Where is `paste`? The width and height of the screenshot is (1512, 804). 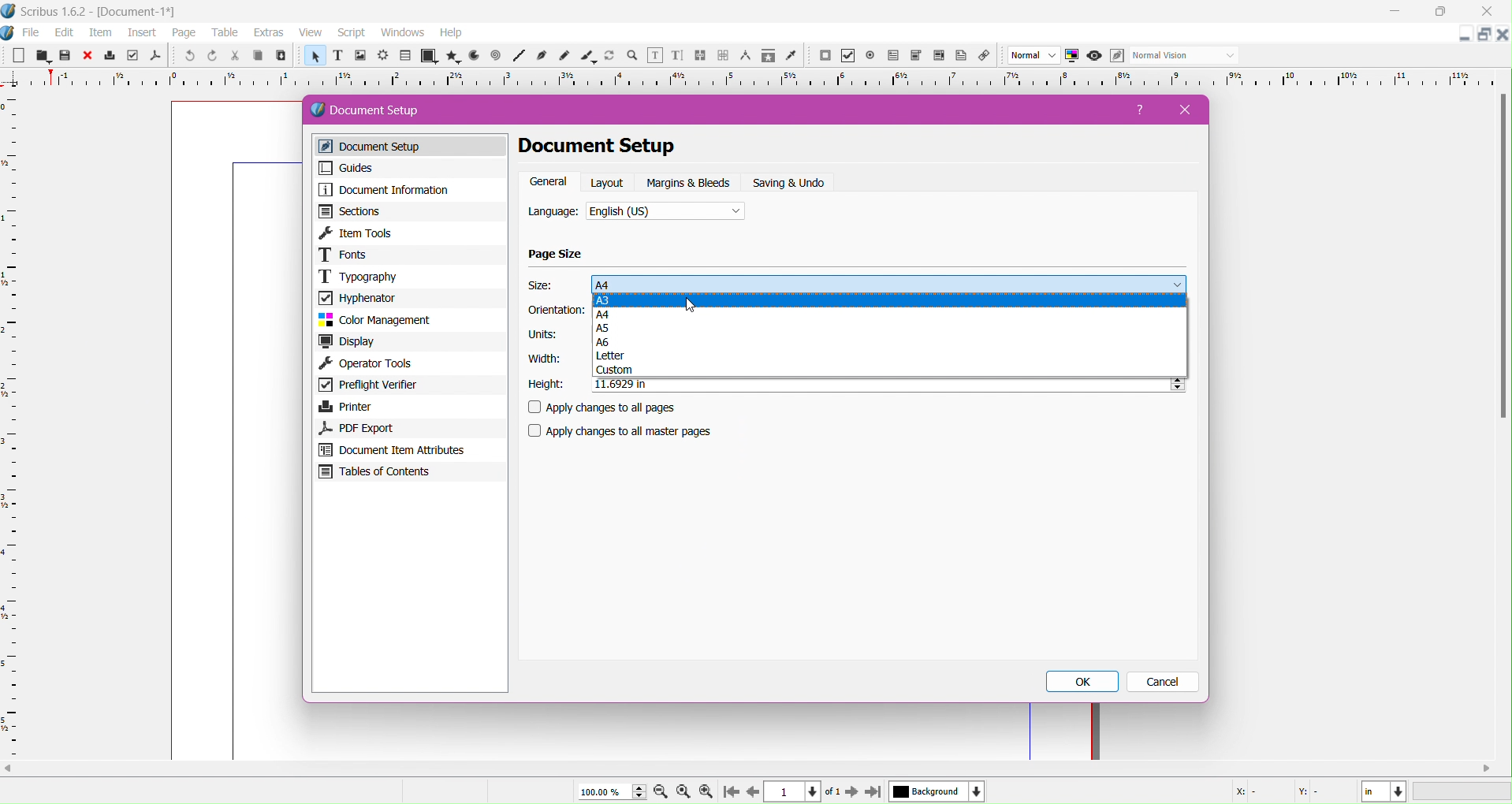
paste is located at coordinates (280, 56).